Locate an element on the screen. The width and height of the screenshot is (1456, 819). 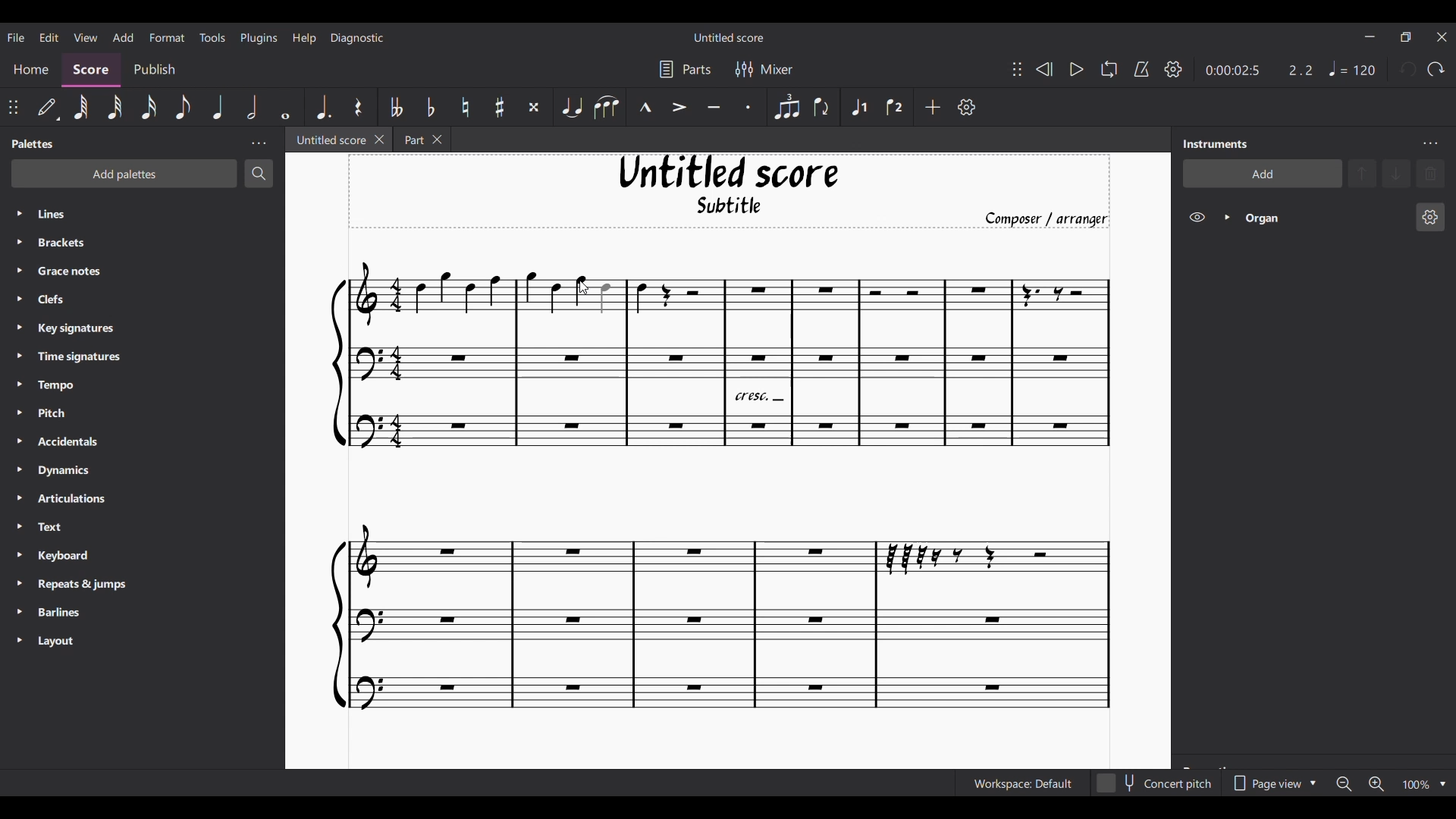
Add palette is located at coordinates (124, 174).